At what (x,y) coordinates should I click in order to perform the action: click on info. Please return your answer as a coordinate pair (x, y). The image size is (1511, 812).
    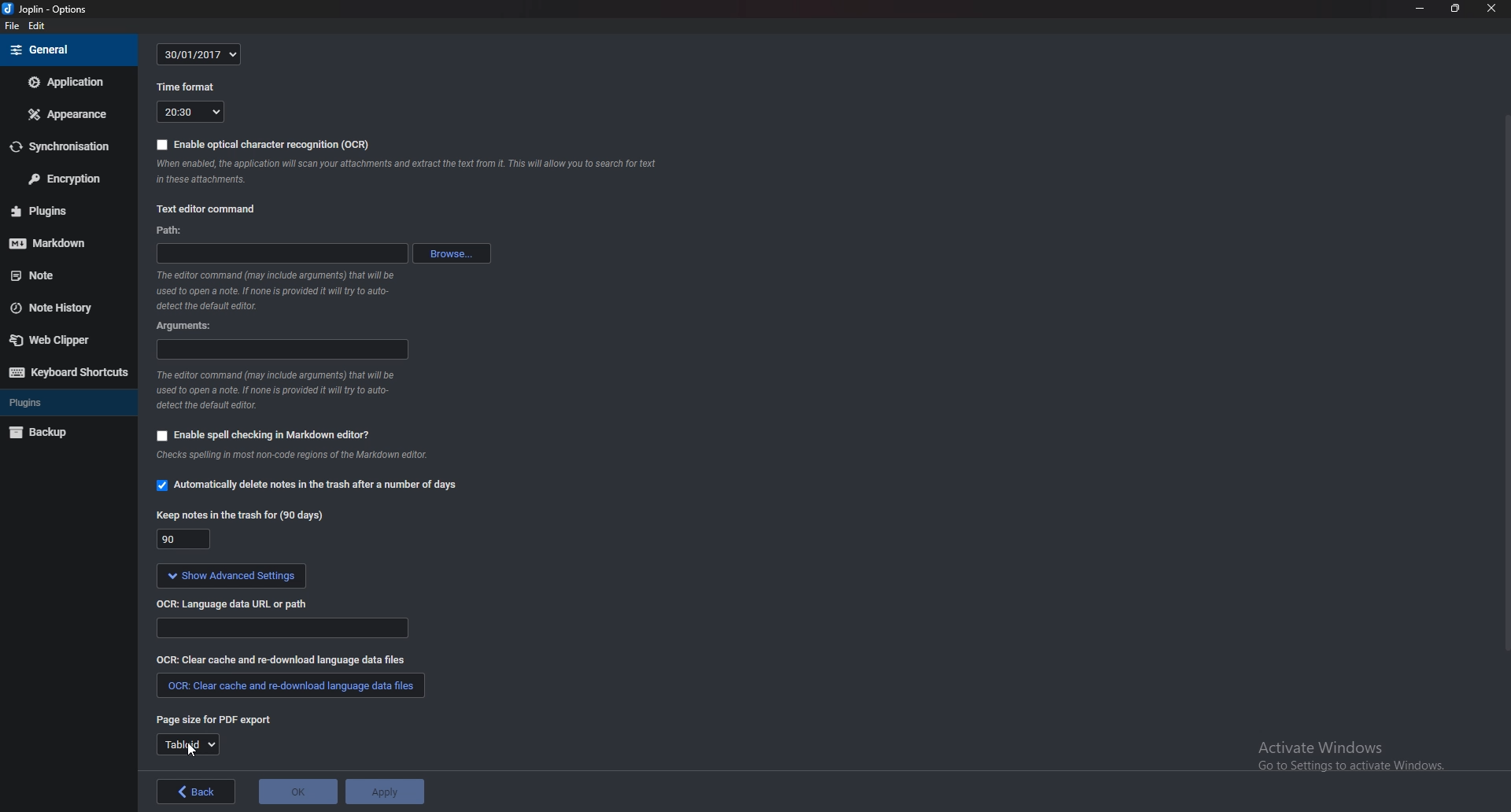
    Looking at the image, I should click on (298, 455).